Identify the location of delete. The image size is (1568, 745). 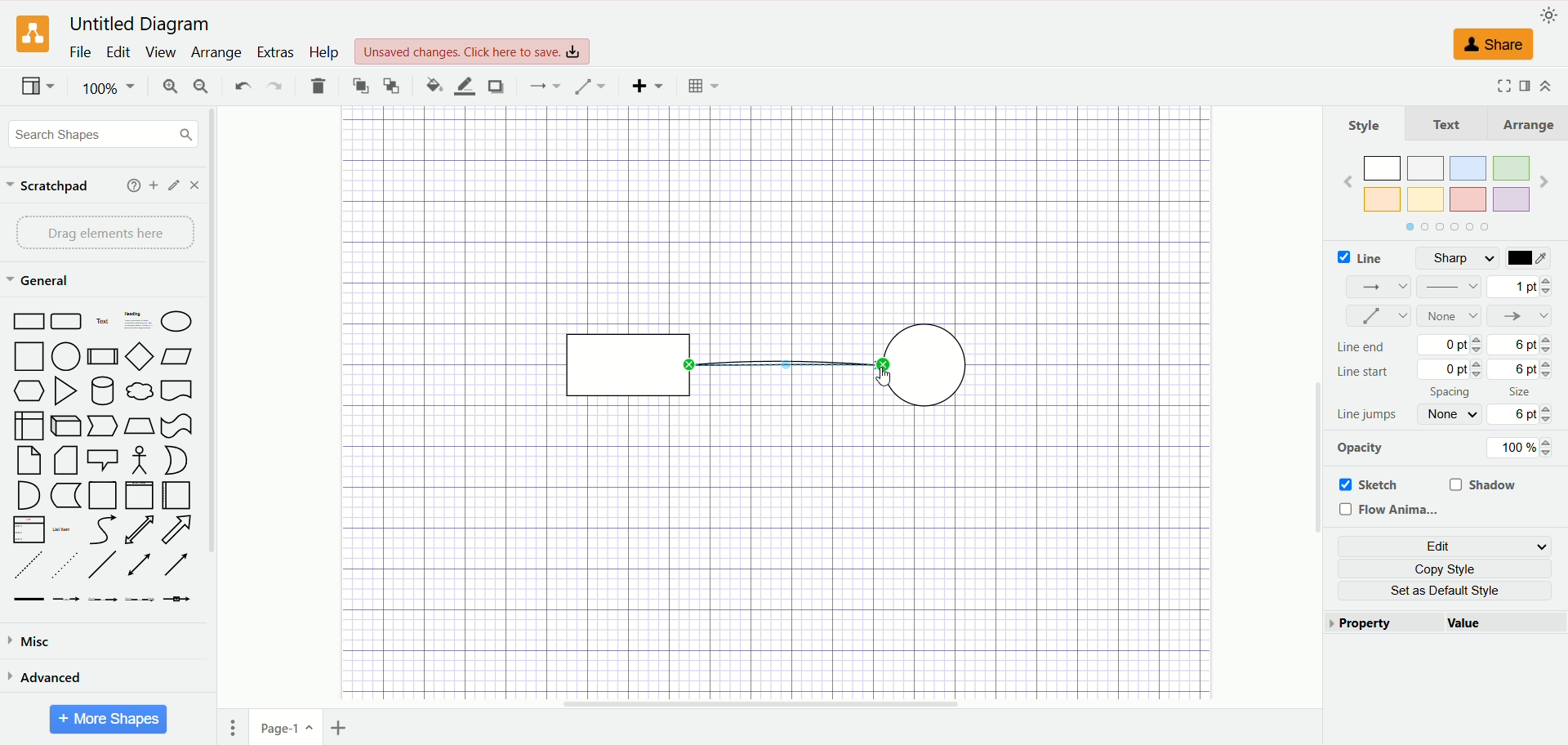
(316, 84).